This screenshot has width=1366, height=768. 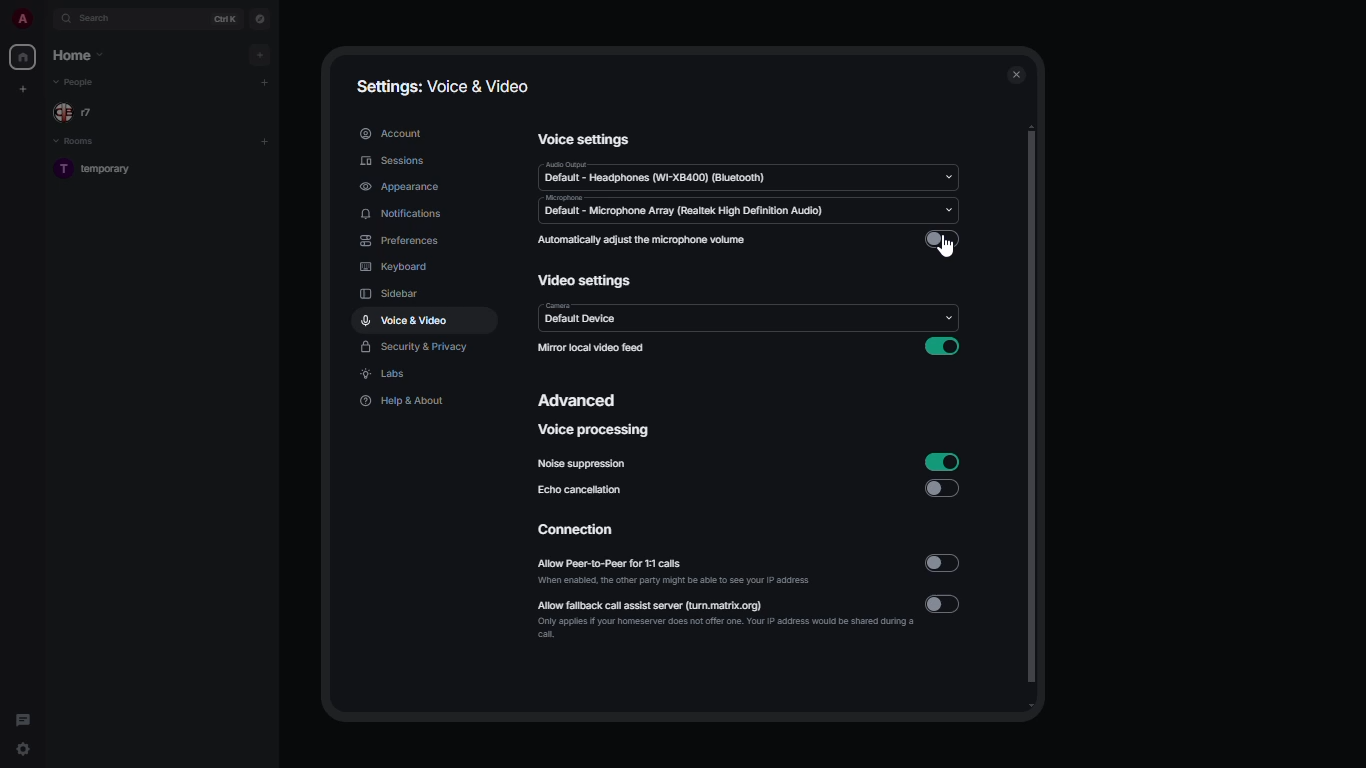 What do you see at coordinates (23, 89) in the screenshot?
I see `create new space` at bounding box center [23, 89].